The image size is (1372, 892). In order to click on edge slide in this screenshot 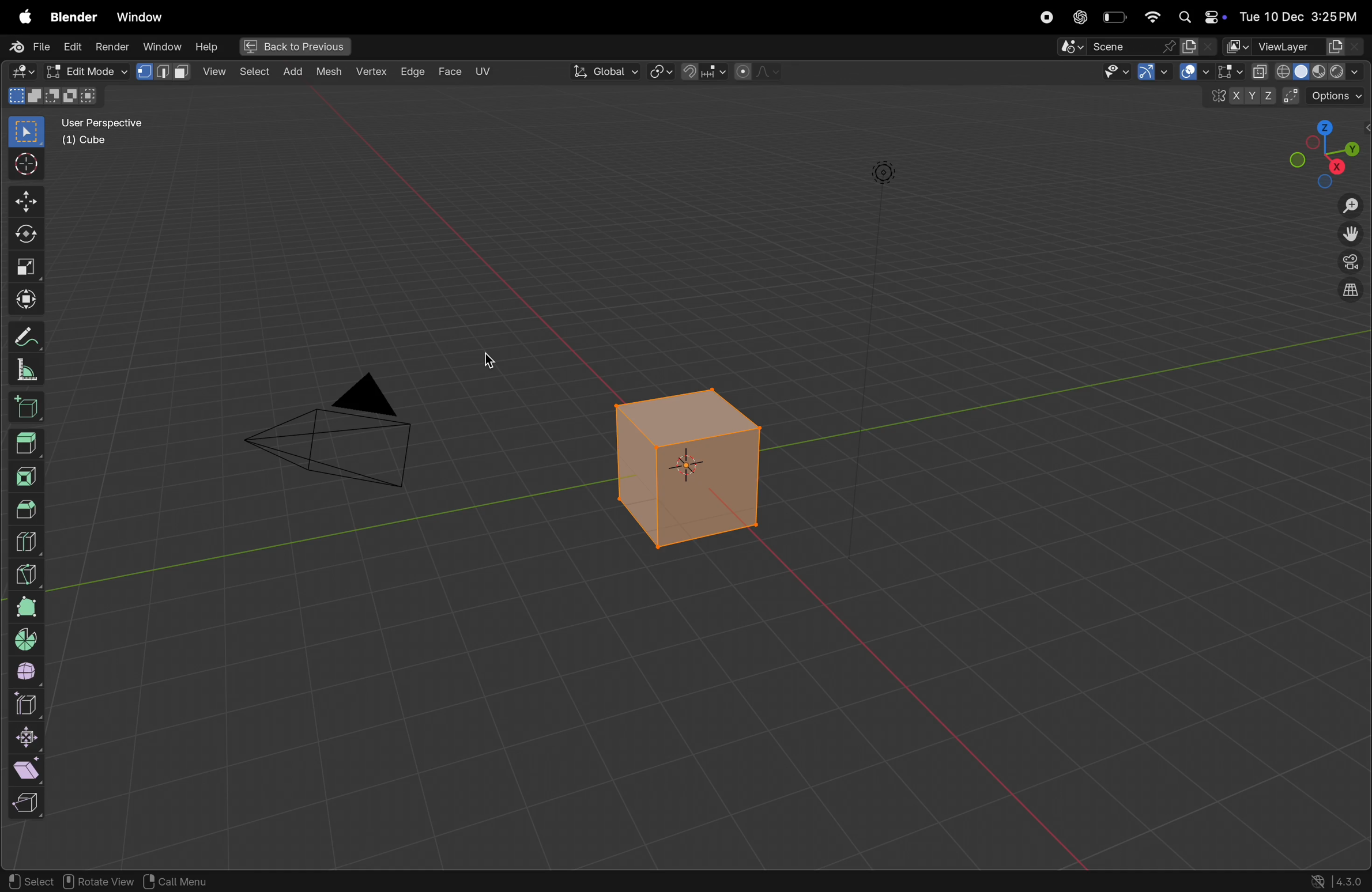, I will do `click(29, 705)`.